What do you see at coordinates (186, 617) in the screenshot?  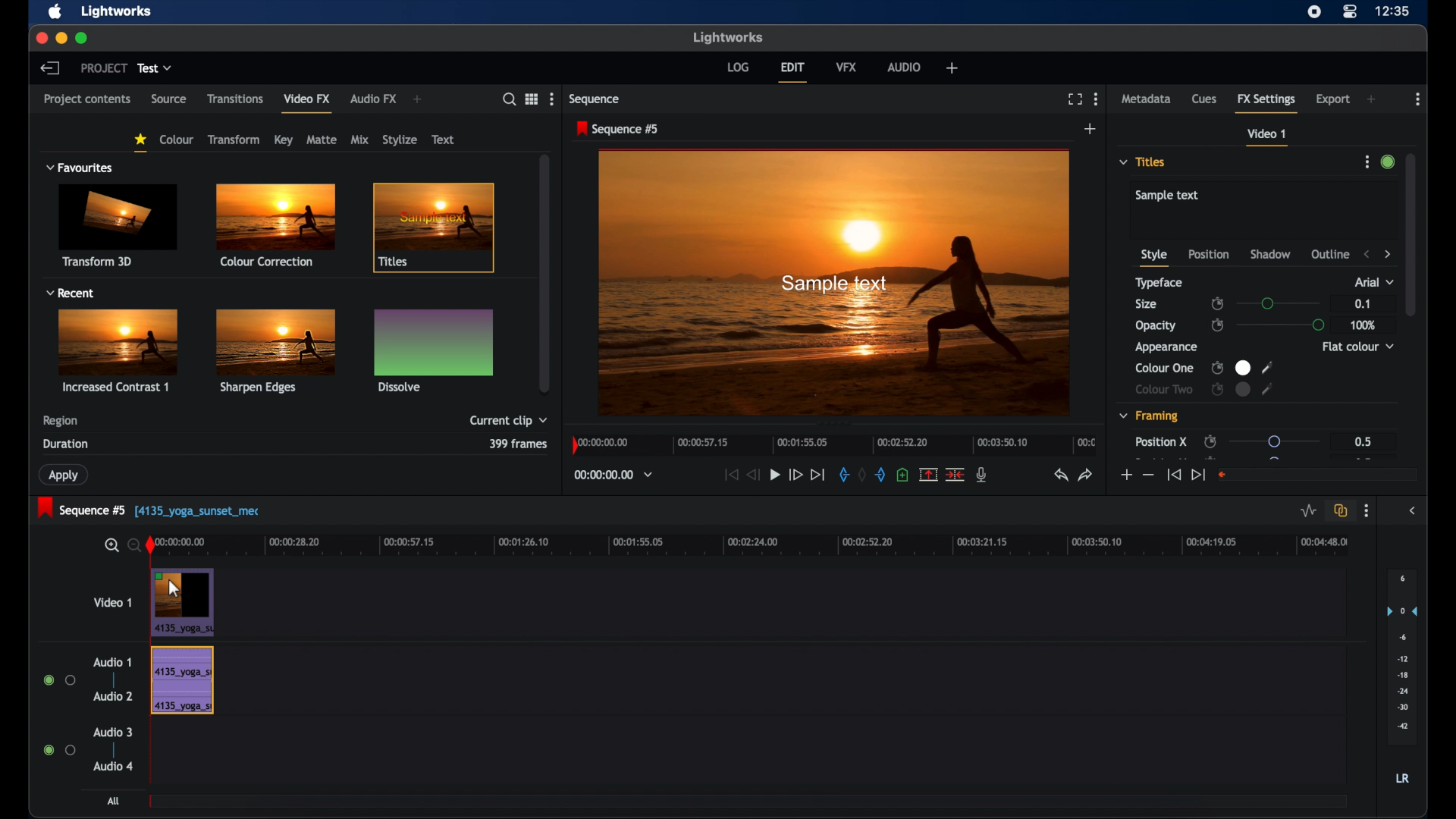 I see `video clip` at bounding box center [186, 617].